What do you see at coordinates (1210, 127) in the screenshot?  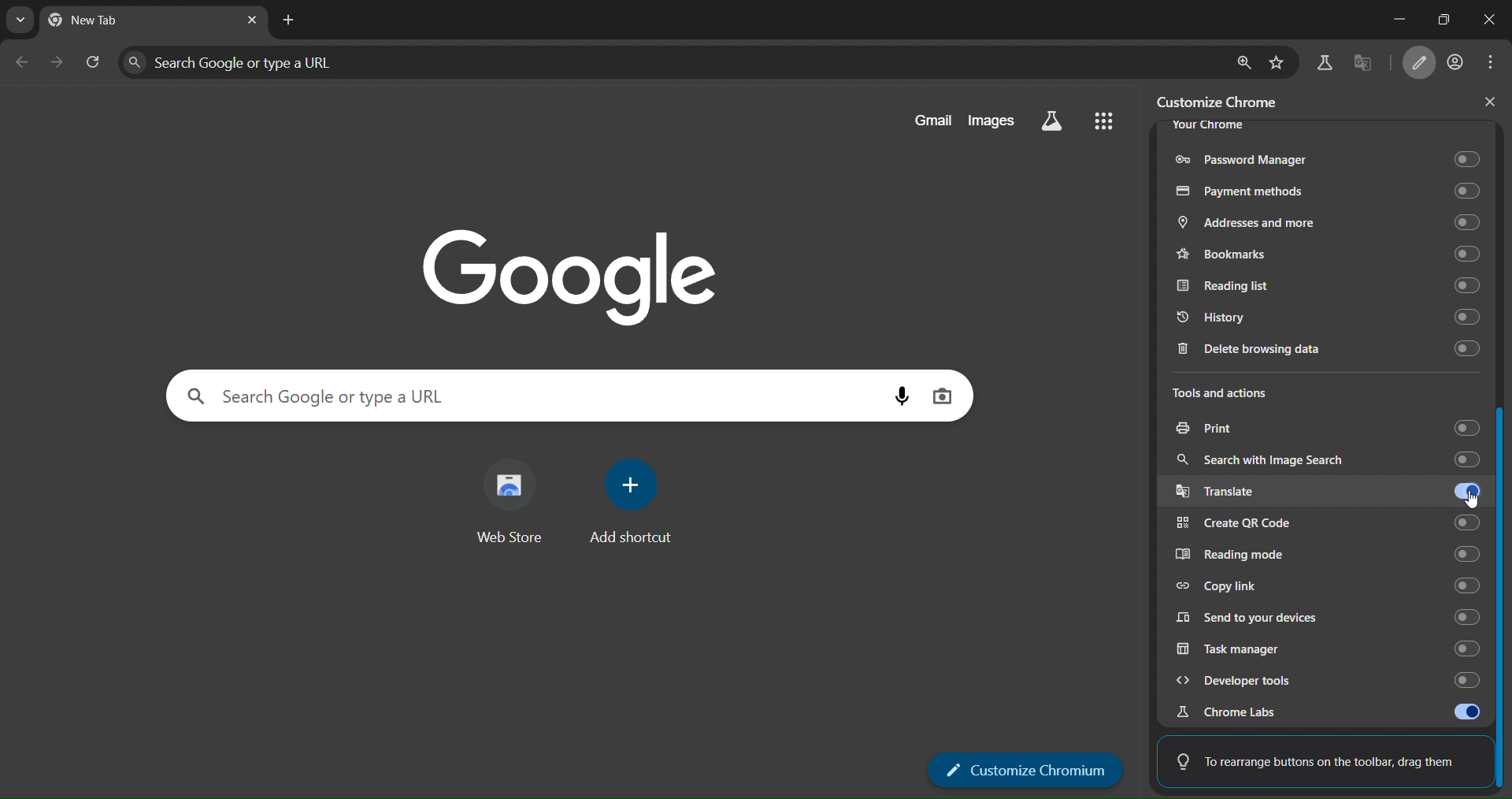 I see `your chrome` at bounding box center [1210, 127].